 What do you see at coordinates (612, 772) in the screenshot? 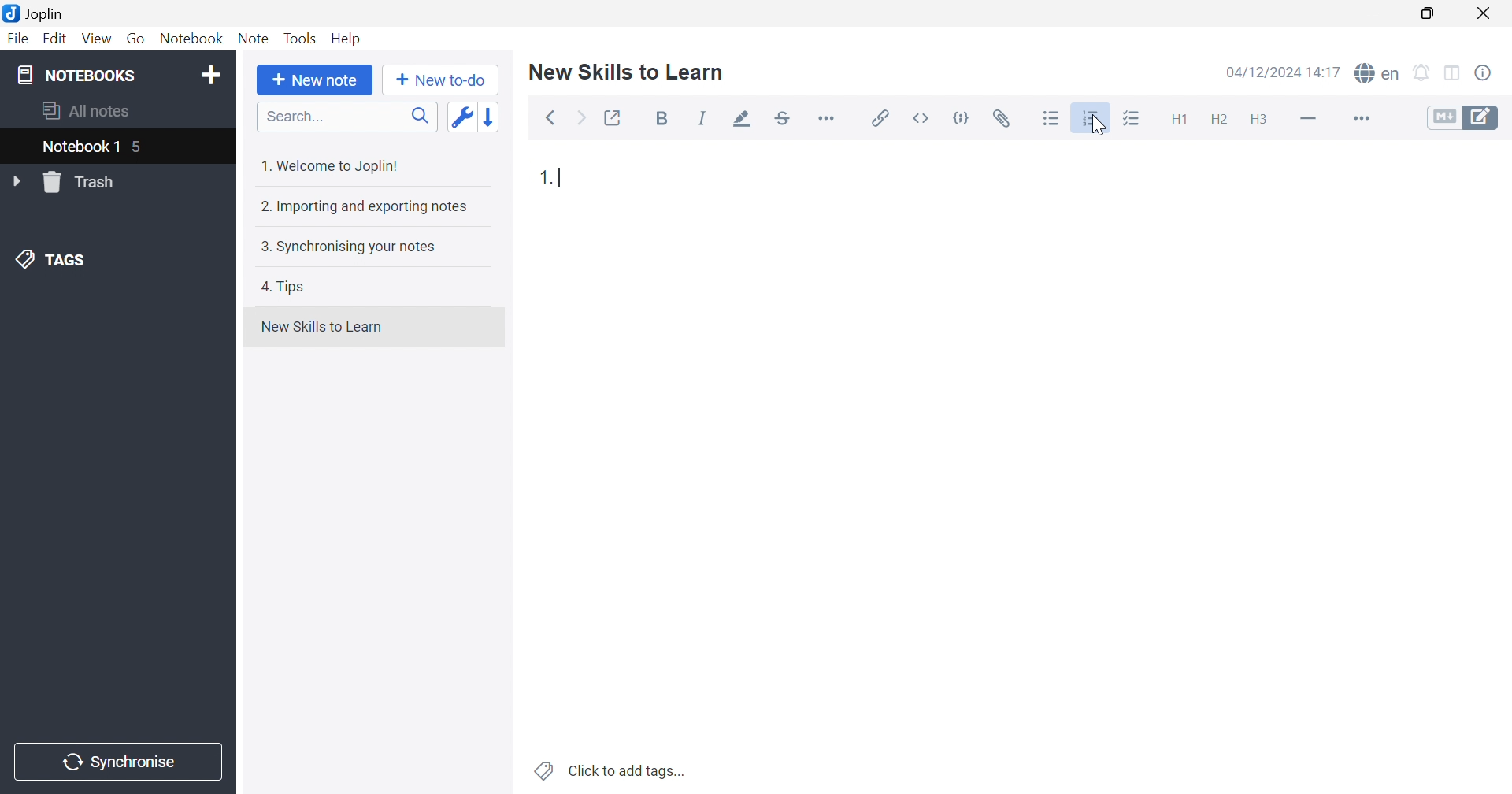
I see `Click to add tags...` at bounding box center [612, 772].